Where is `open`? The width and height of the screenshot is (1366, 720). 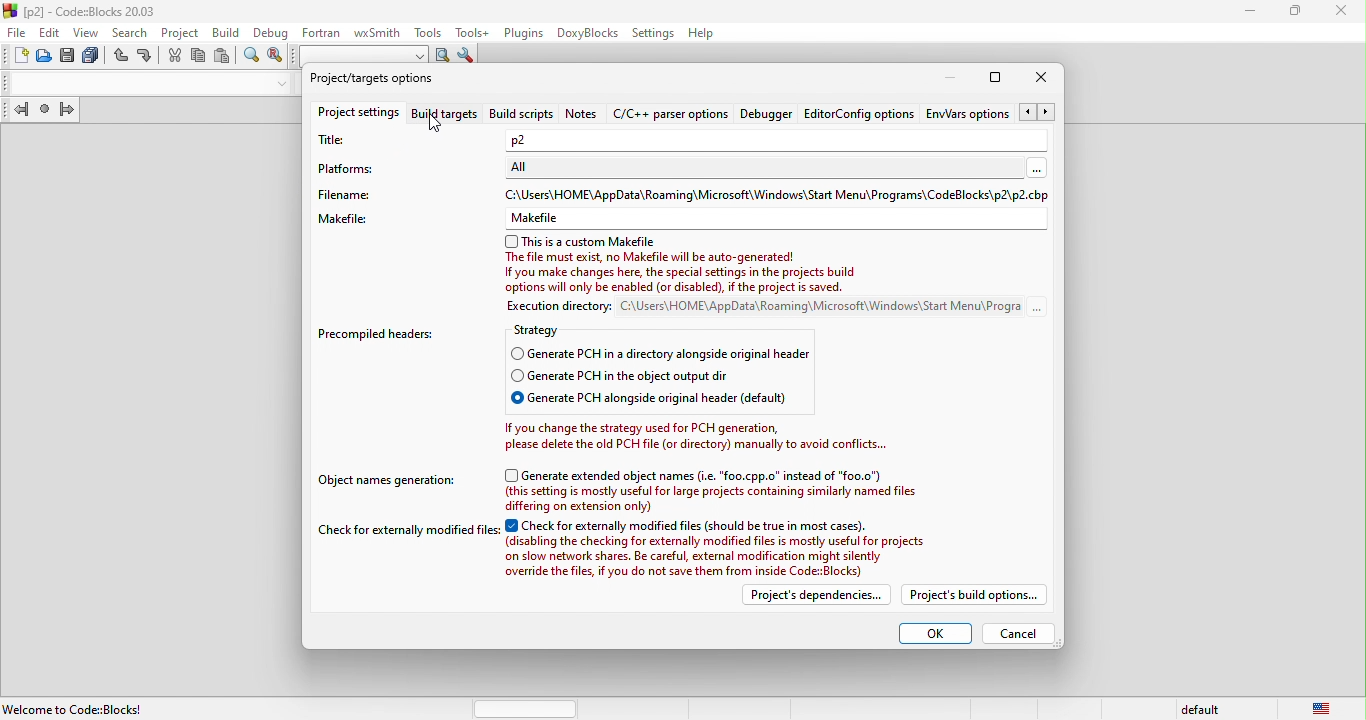
open is located at coordinates (46, 57).